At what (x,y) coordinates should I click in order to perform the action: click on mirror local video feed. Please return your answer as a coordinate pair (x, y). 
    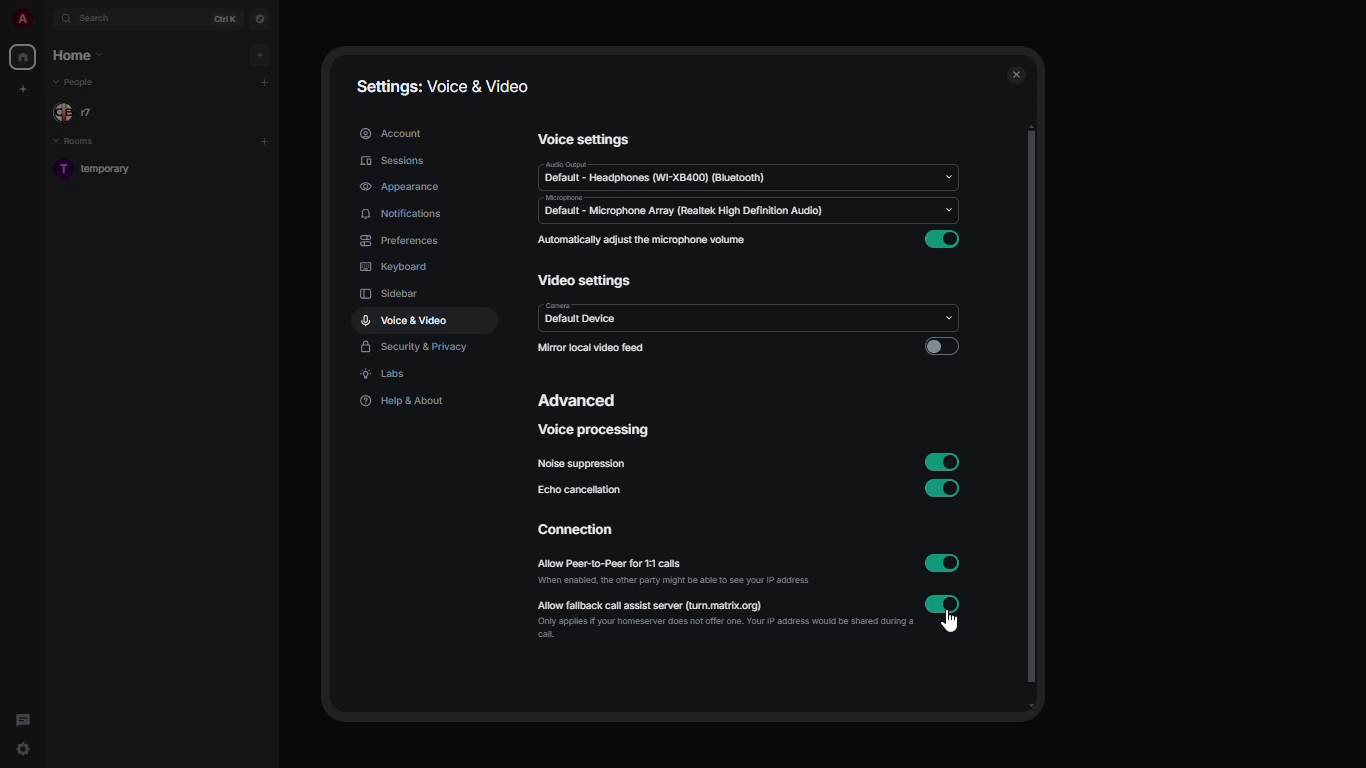
    Looking at the image, I should click on (592, 348).